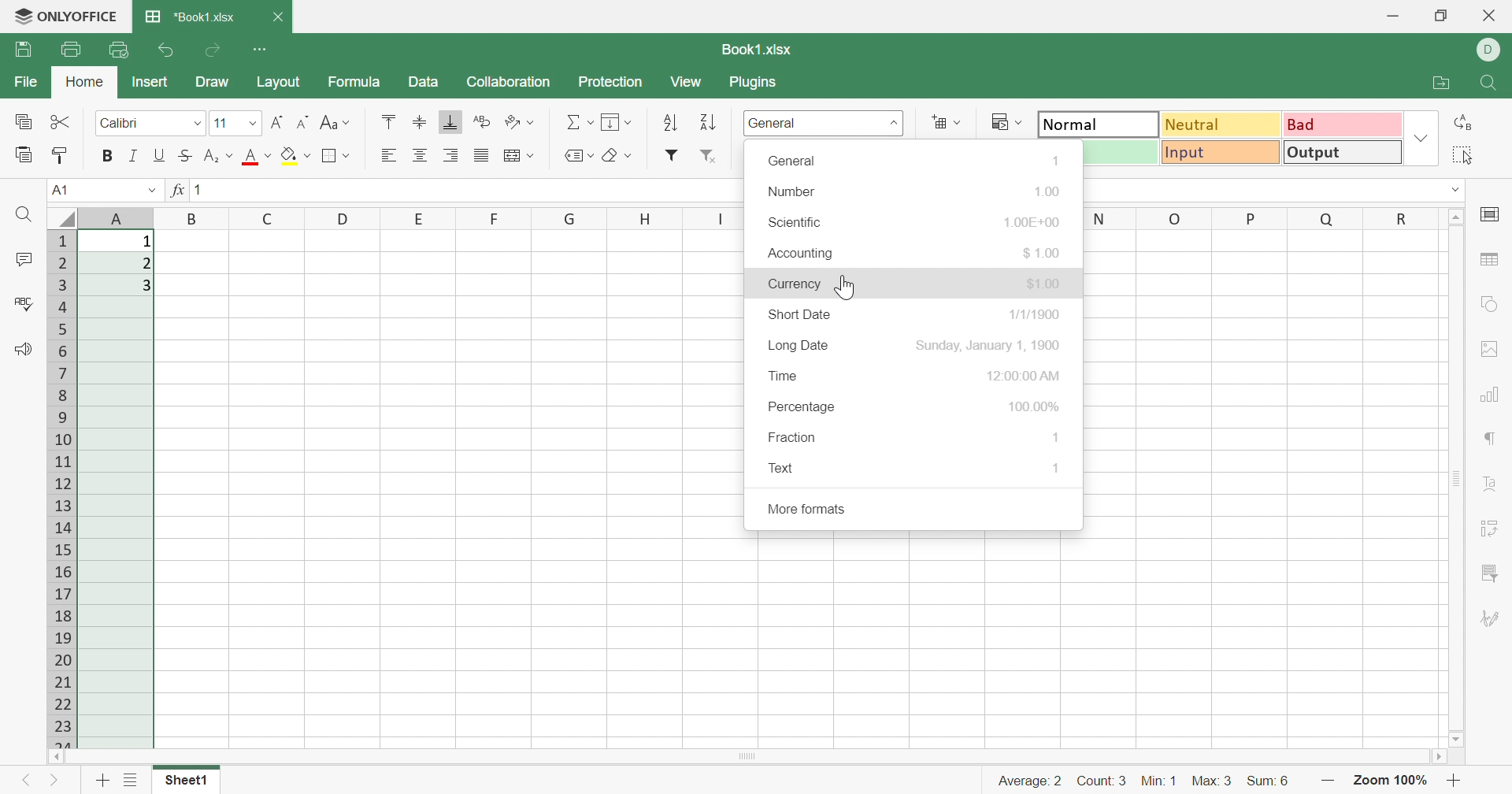  I want to click on Column names, so click(410, 219).